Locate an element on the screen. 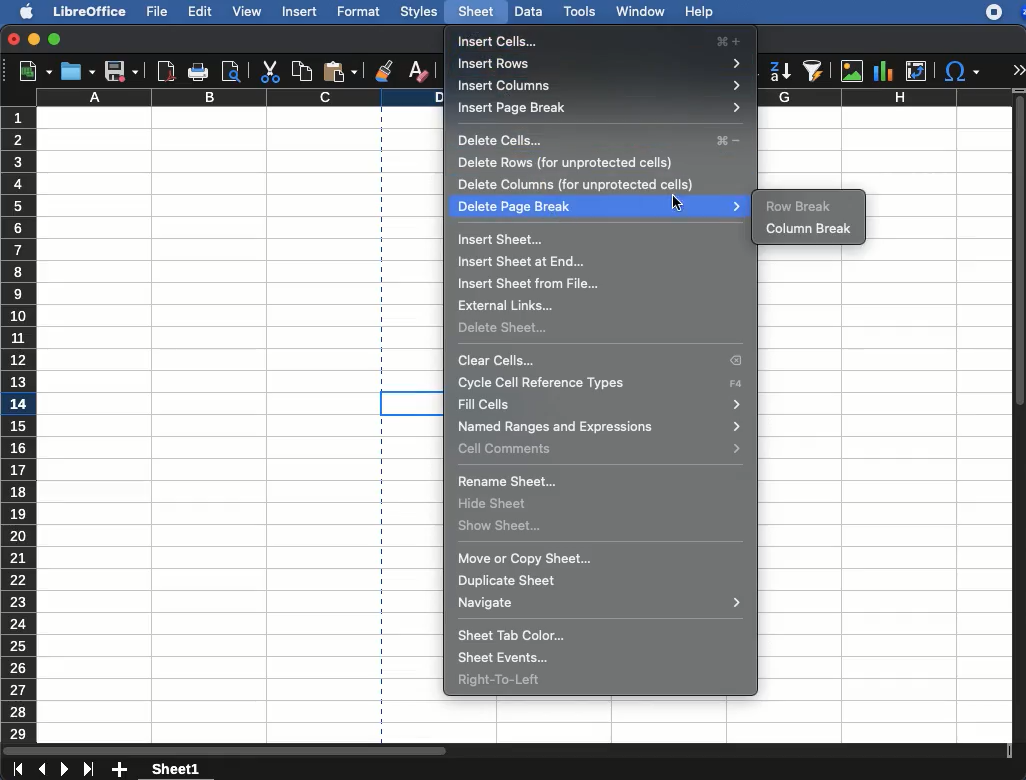 Image resolution: width=1026 pixels, height=780 pixels. new is located at coordinates (29, 73).